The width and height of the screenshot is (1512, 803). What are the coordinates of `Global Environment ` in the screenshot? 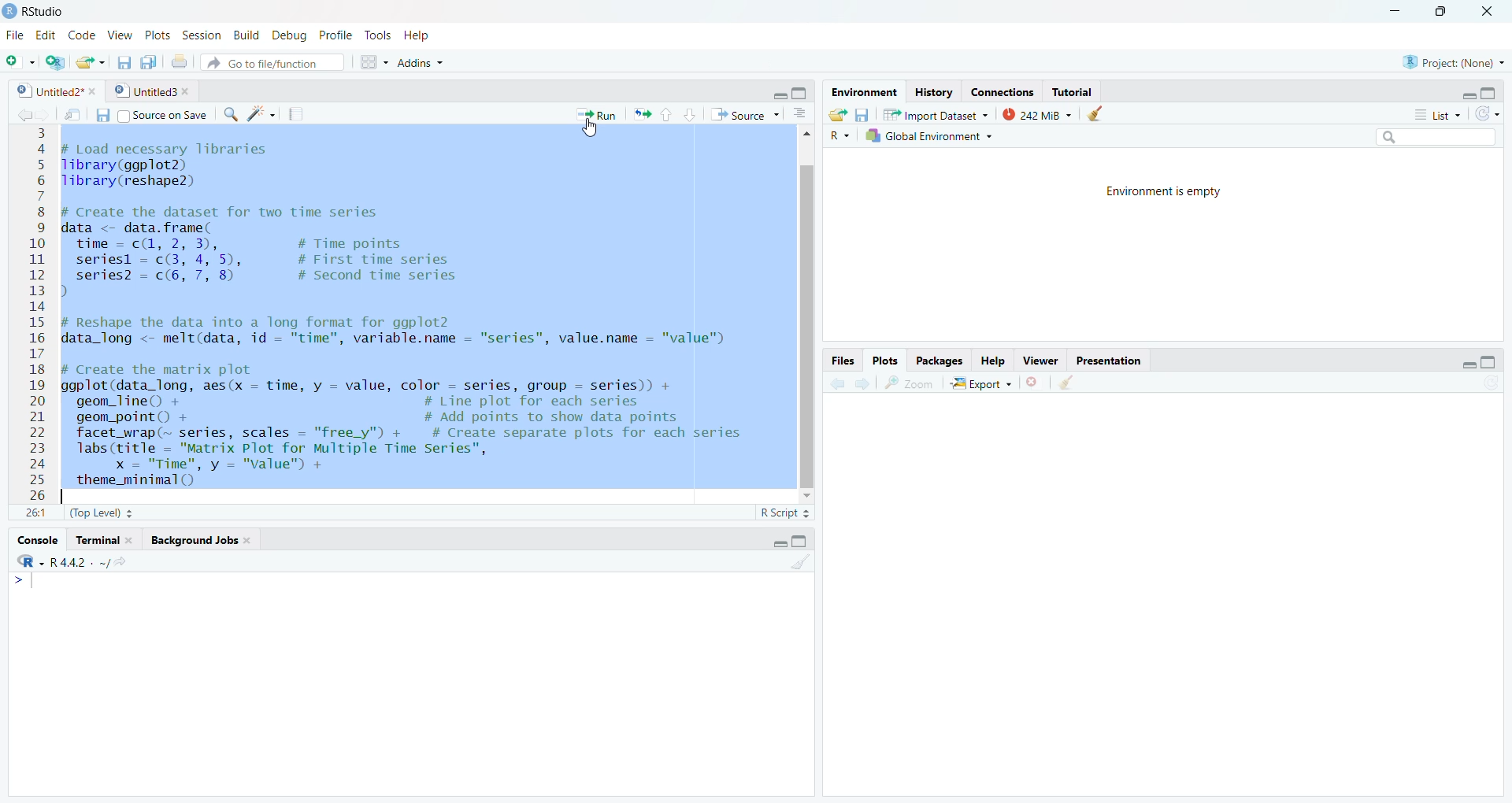 It's located at (936, 135).